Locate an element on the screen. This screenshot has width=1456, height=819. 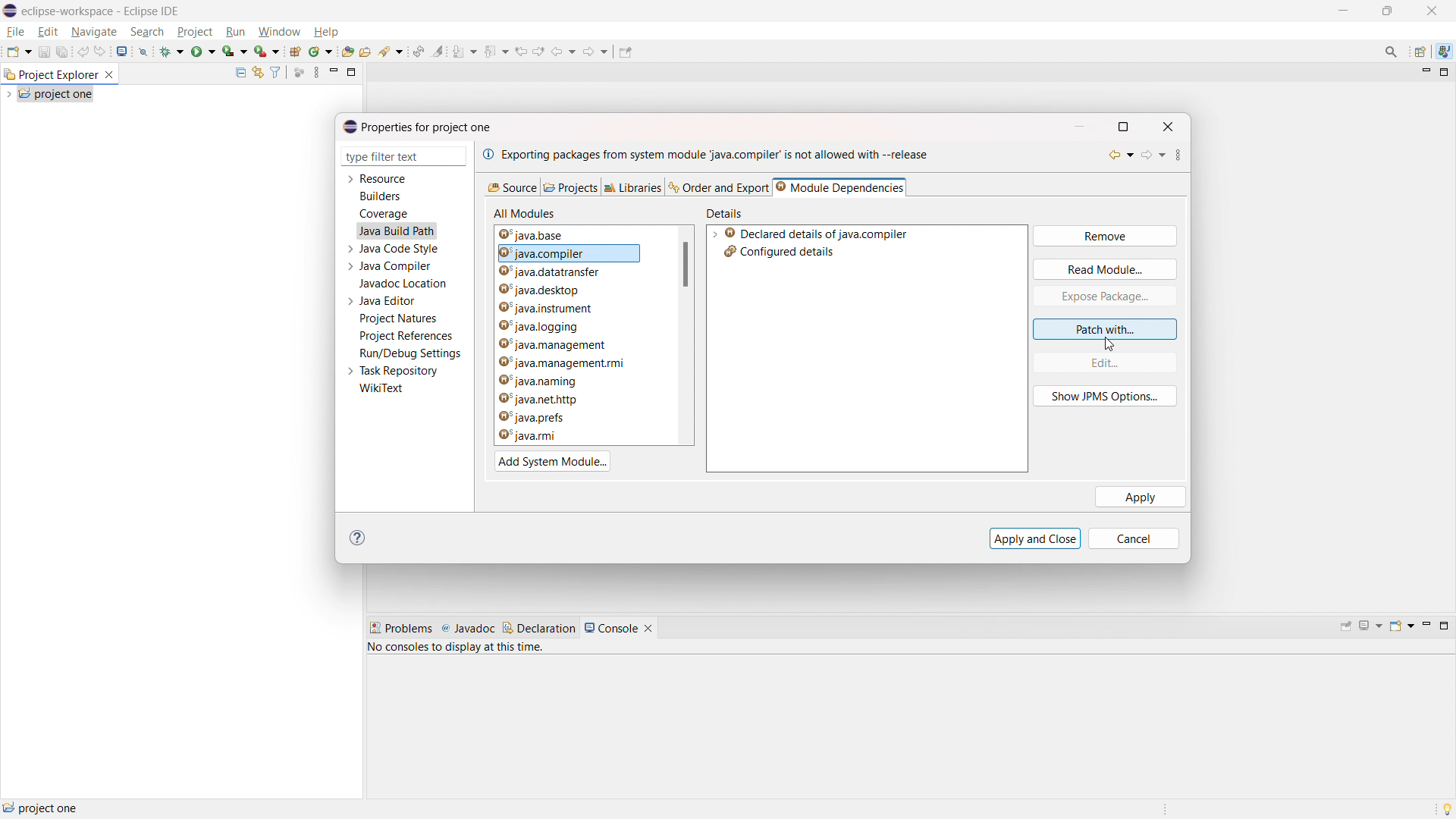
javadoc is located at coordinates (468, 629).